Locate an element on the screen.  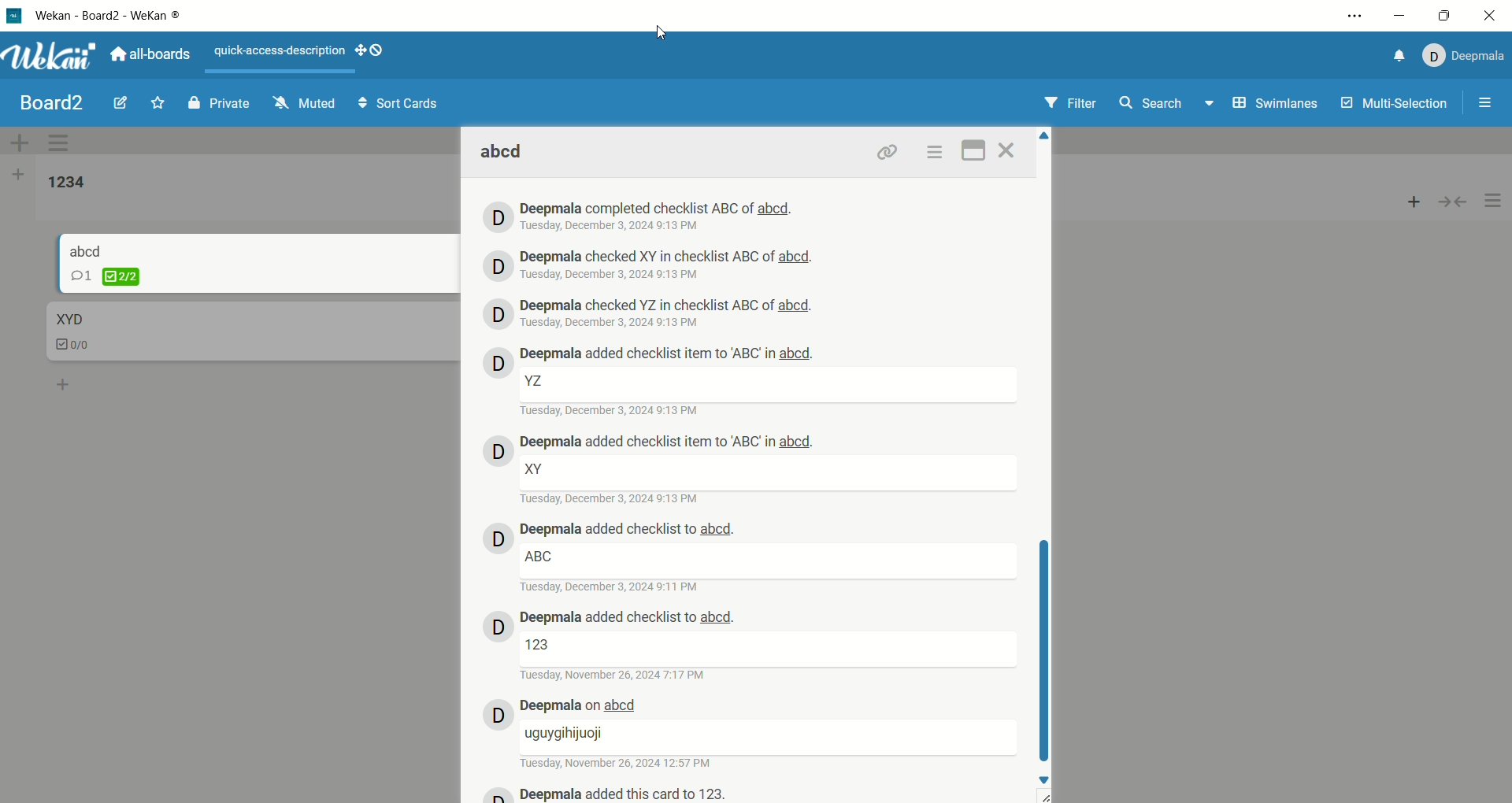
private is located at coordinates (219, 102).